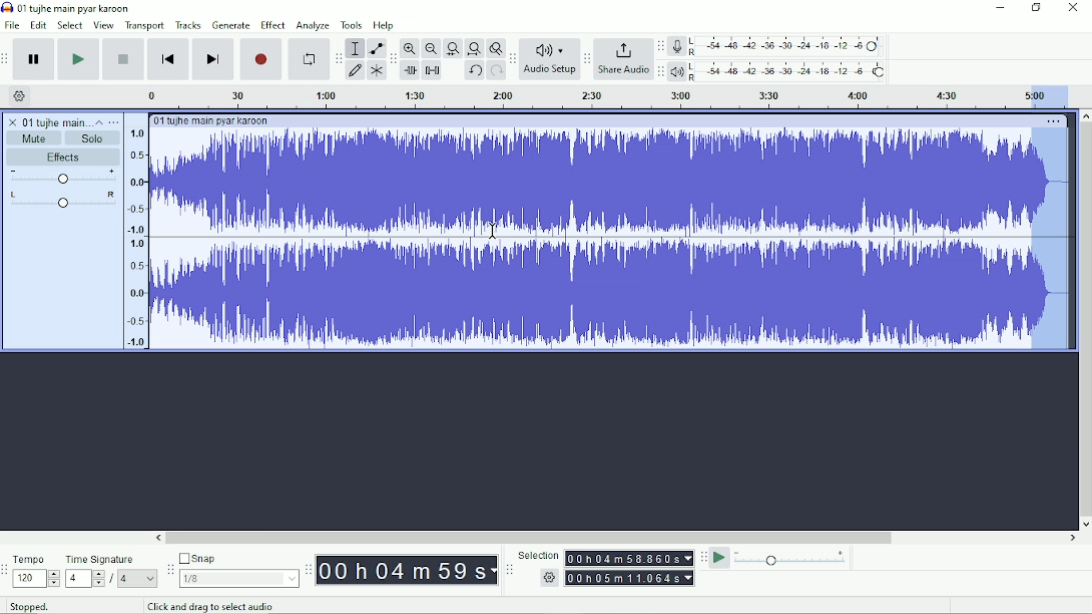 Image resolution: width=1092 pixels, height=614 pixels. What do you see at coordinates (549, 577) in the screenshot?
I see `settings` at bounding box center [549, 577].